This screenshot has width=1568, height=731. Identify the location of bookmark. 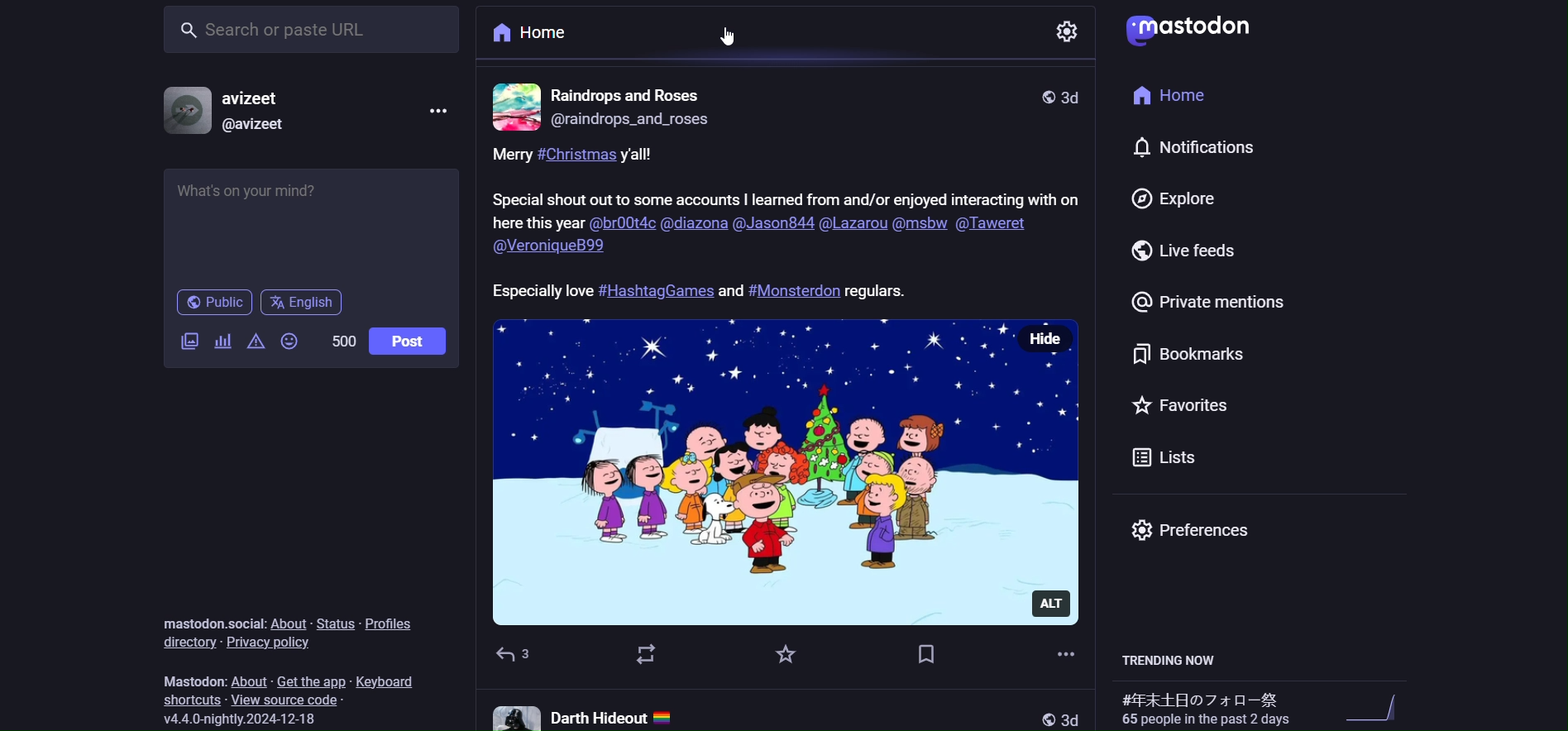
(1176, 355).